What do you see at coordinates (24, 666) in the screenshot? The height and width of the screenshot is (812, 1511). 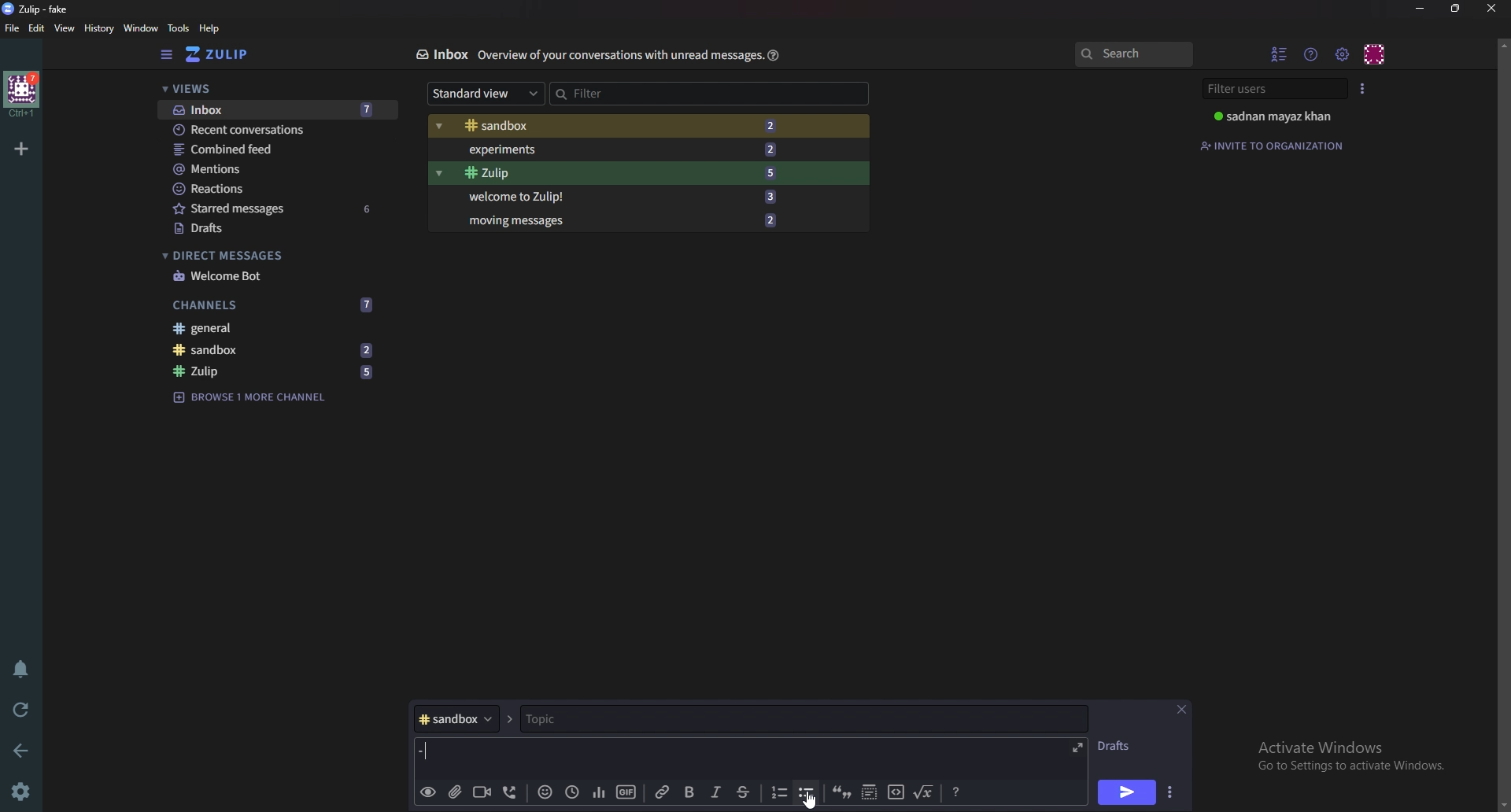 I see `Enable do not disturb` at bounding box center [24, 666].